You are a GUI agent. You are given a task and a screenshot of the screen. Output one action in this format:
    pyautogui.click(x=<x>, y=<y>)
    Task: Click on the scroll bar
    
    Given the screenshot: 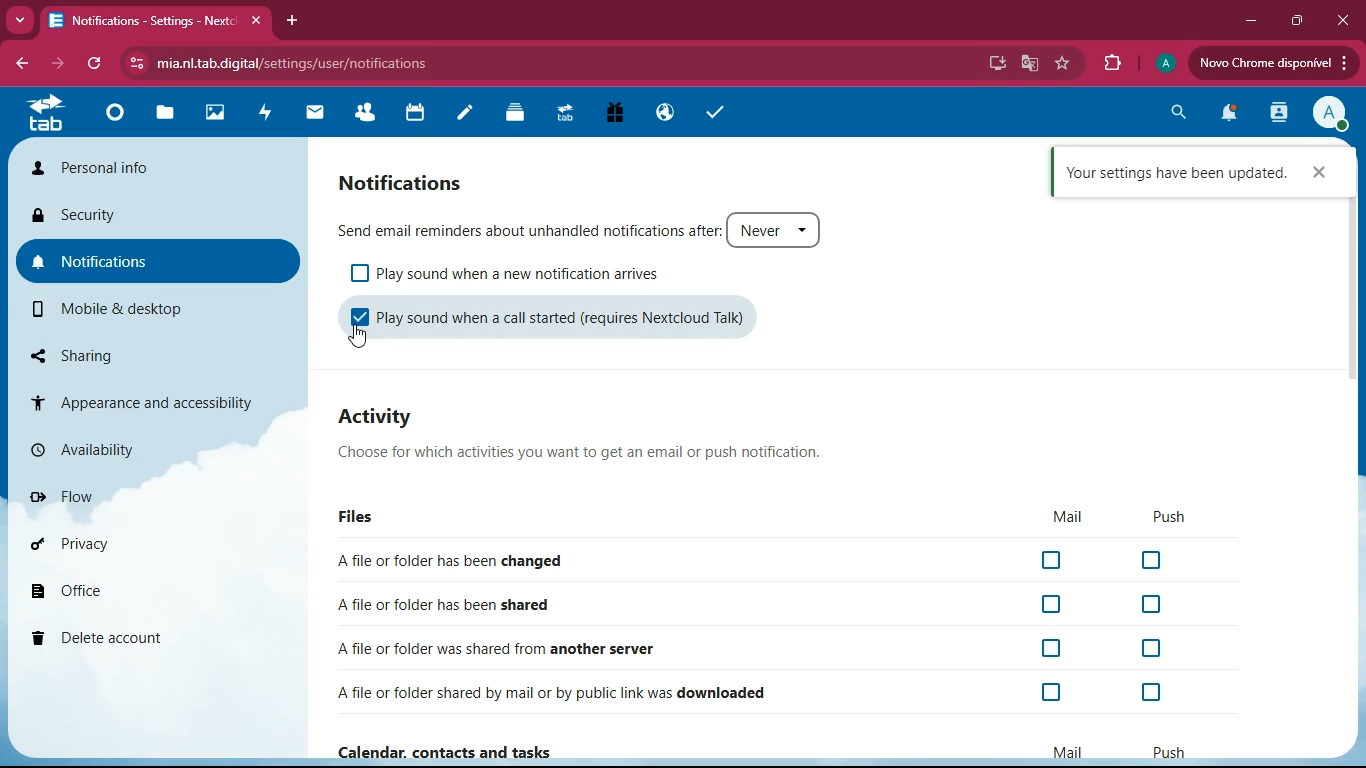 What is the action you would take?
    pyautogui.click(x=1353, y=253)
    